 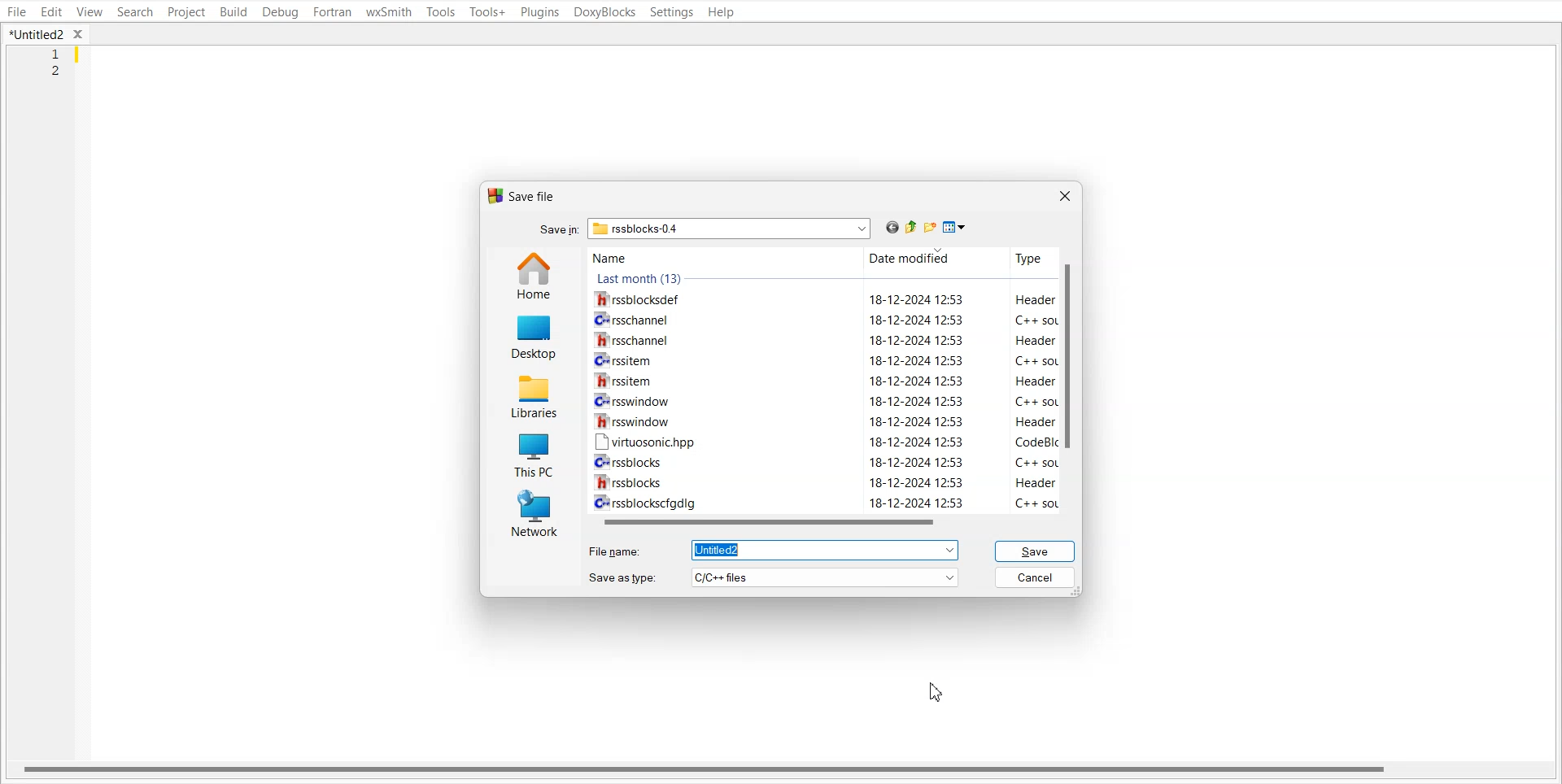 I want to click on Plugins, so click(x=539, y=12).